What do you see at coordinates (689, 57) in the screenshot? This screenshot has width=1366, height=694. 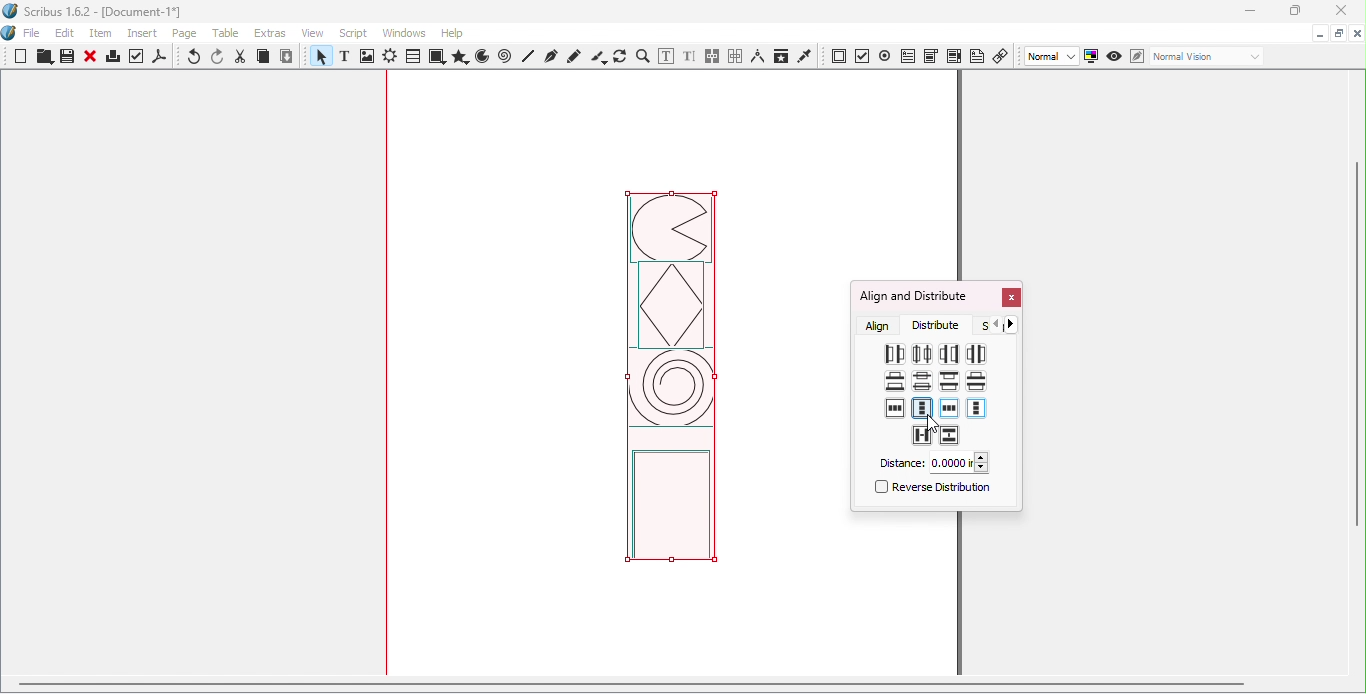 I see `Edit text with story editor` at bounding box center [689, 57].